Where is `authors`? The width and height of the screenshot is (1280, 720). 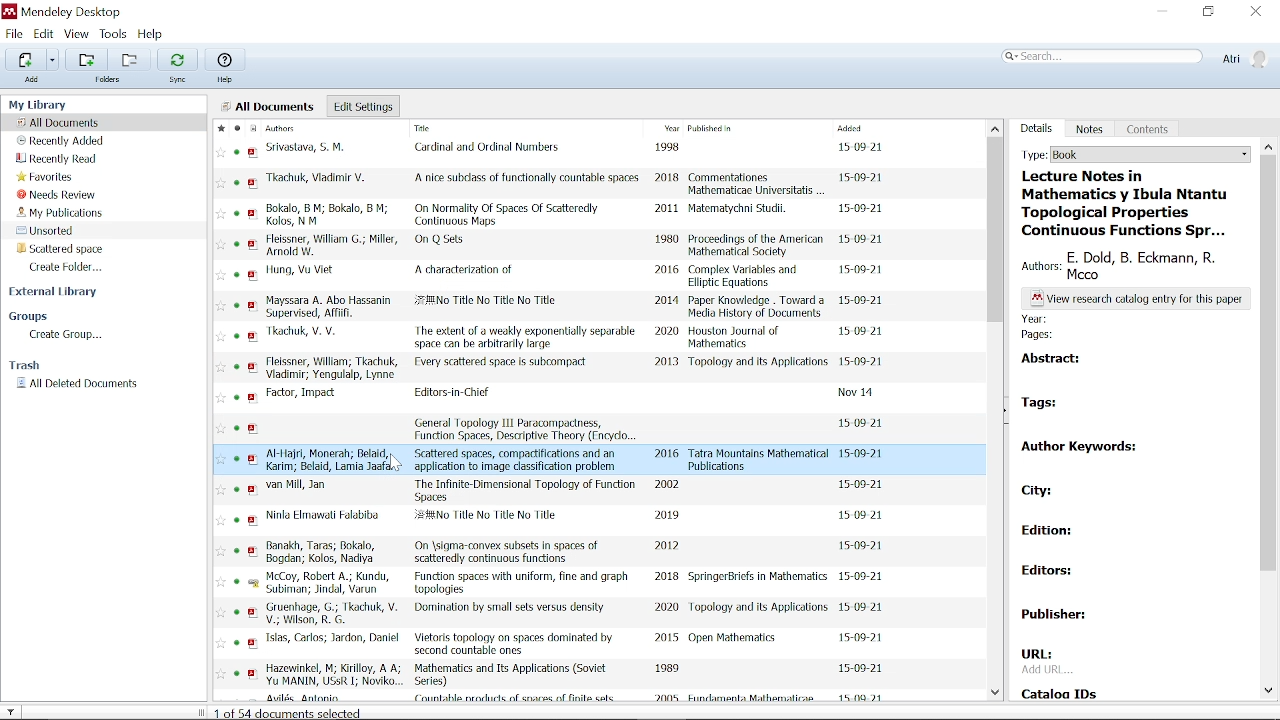
authors is located at coordinates (329, 584).